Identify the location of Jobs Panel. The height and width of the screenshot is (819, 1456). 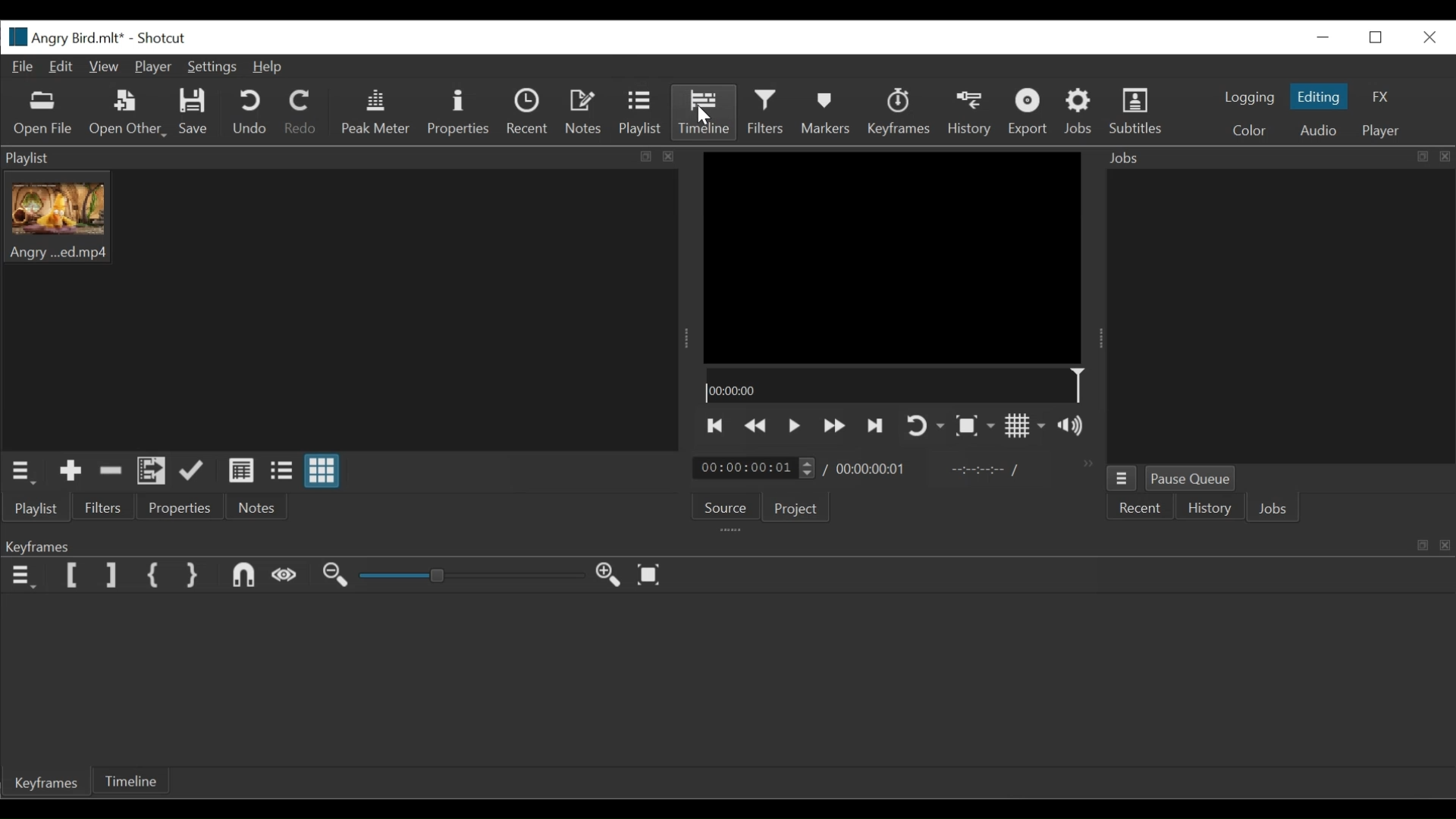
(1276, 313).